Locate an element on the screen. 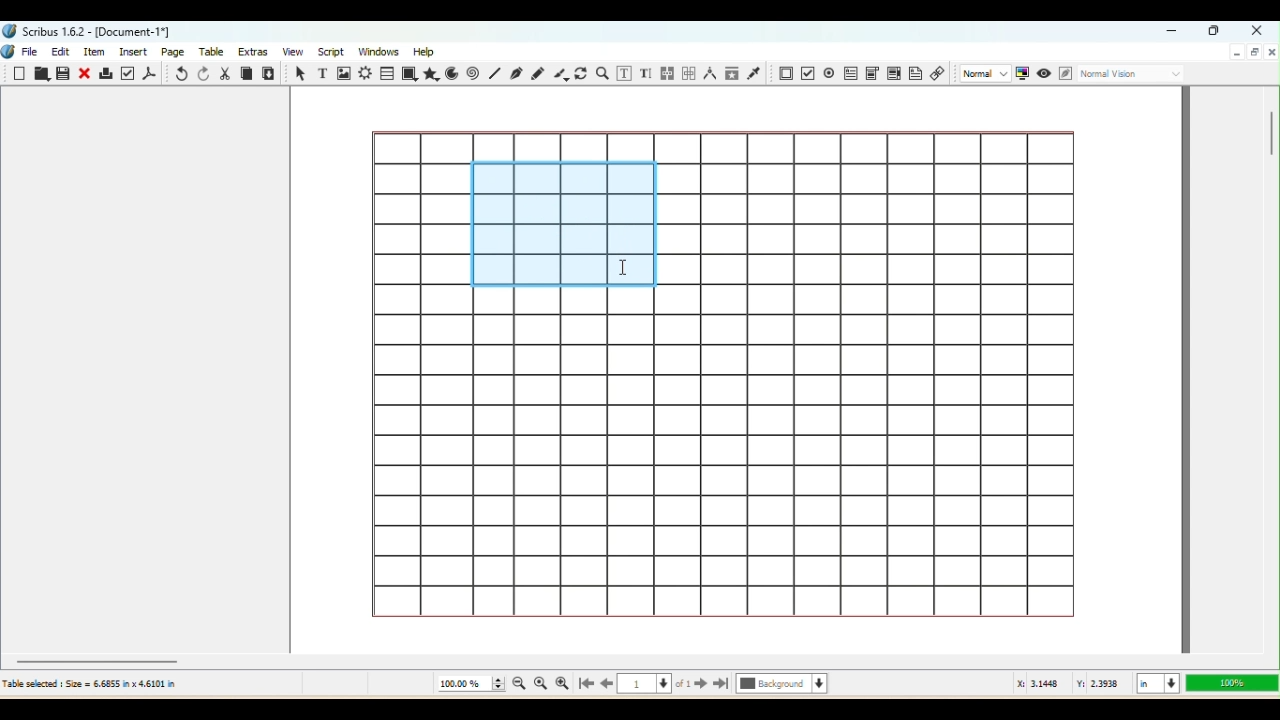  Cut is located at coordinates (225, 73).